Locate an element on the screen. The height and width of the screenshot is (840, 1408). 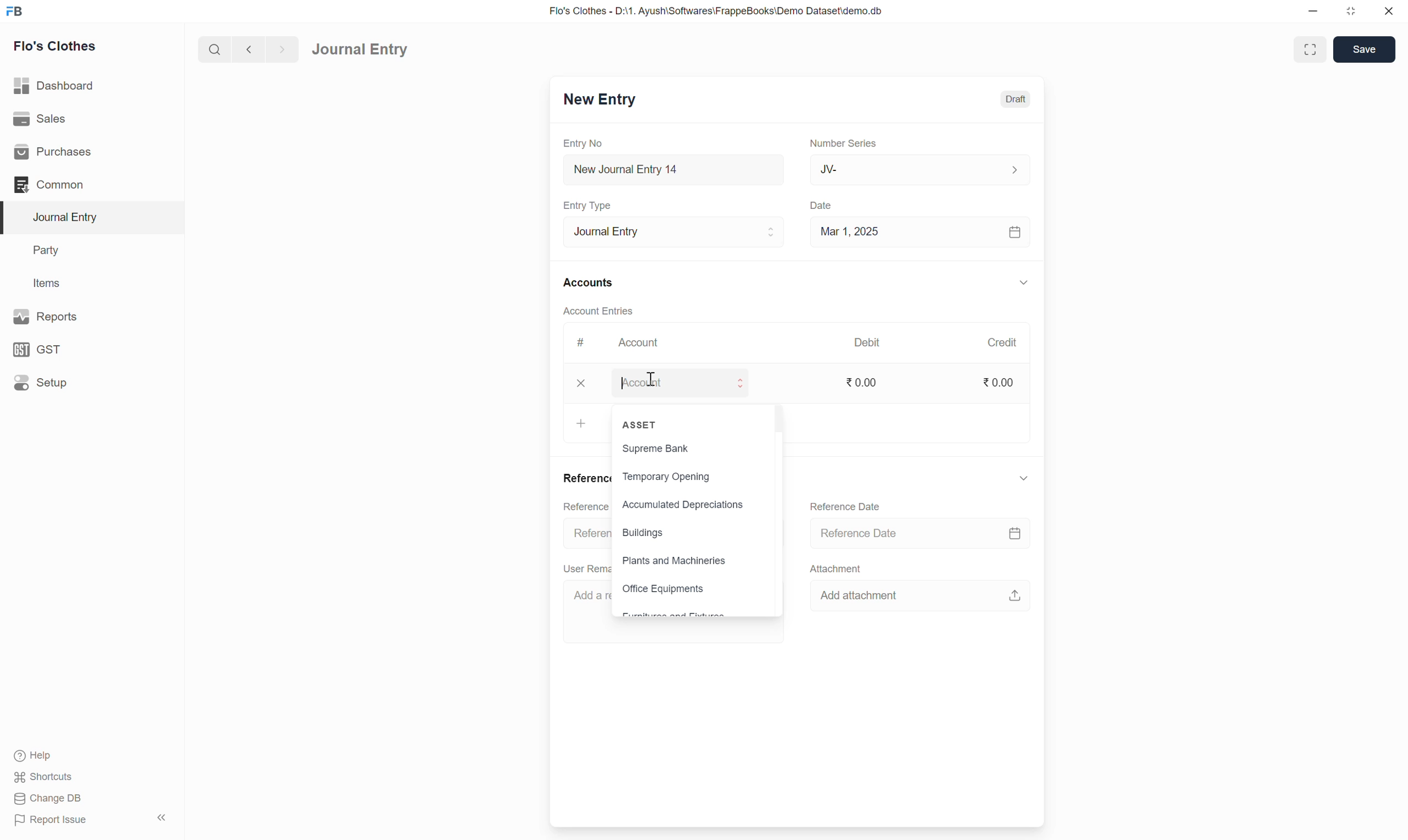
Entry No is located at coordinates (585, 143).